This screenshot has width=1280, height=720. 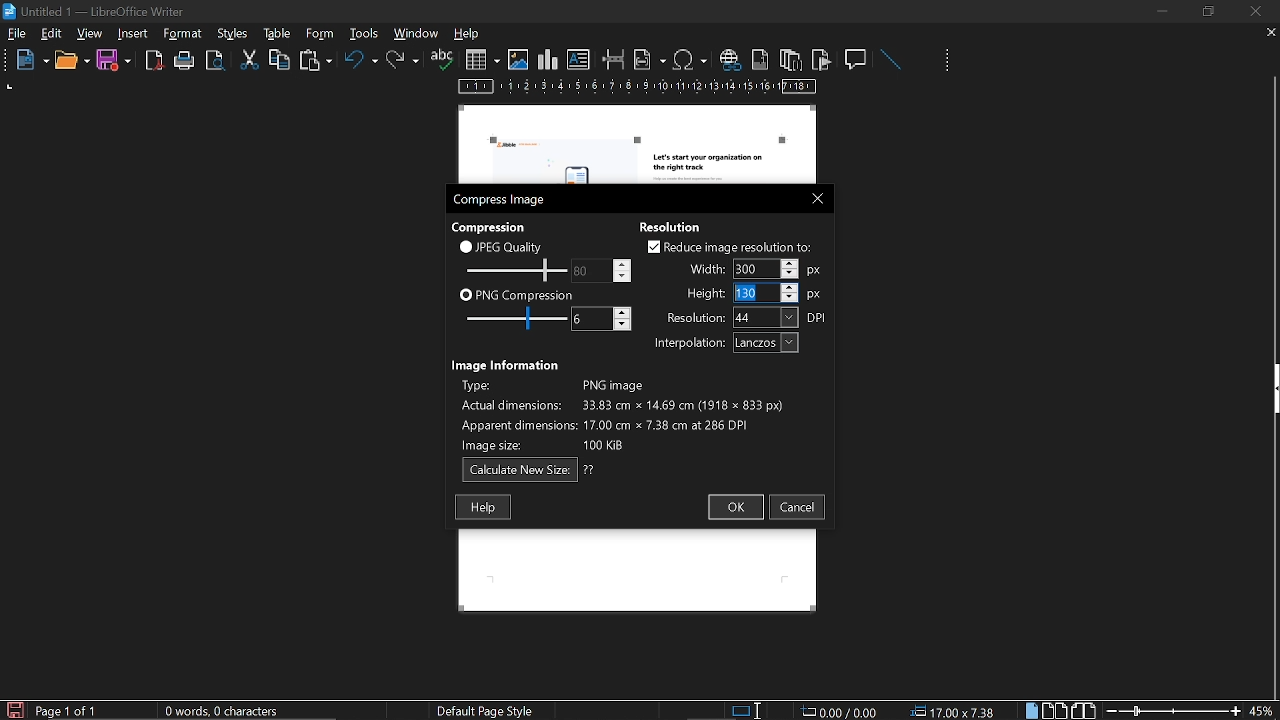 What do you see at coordinates (722, 343) in the screenshot?
I see `interpolation` at bounding box center [722, 343].